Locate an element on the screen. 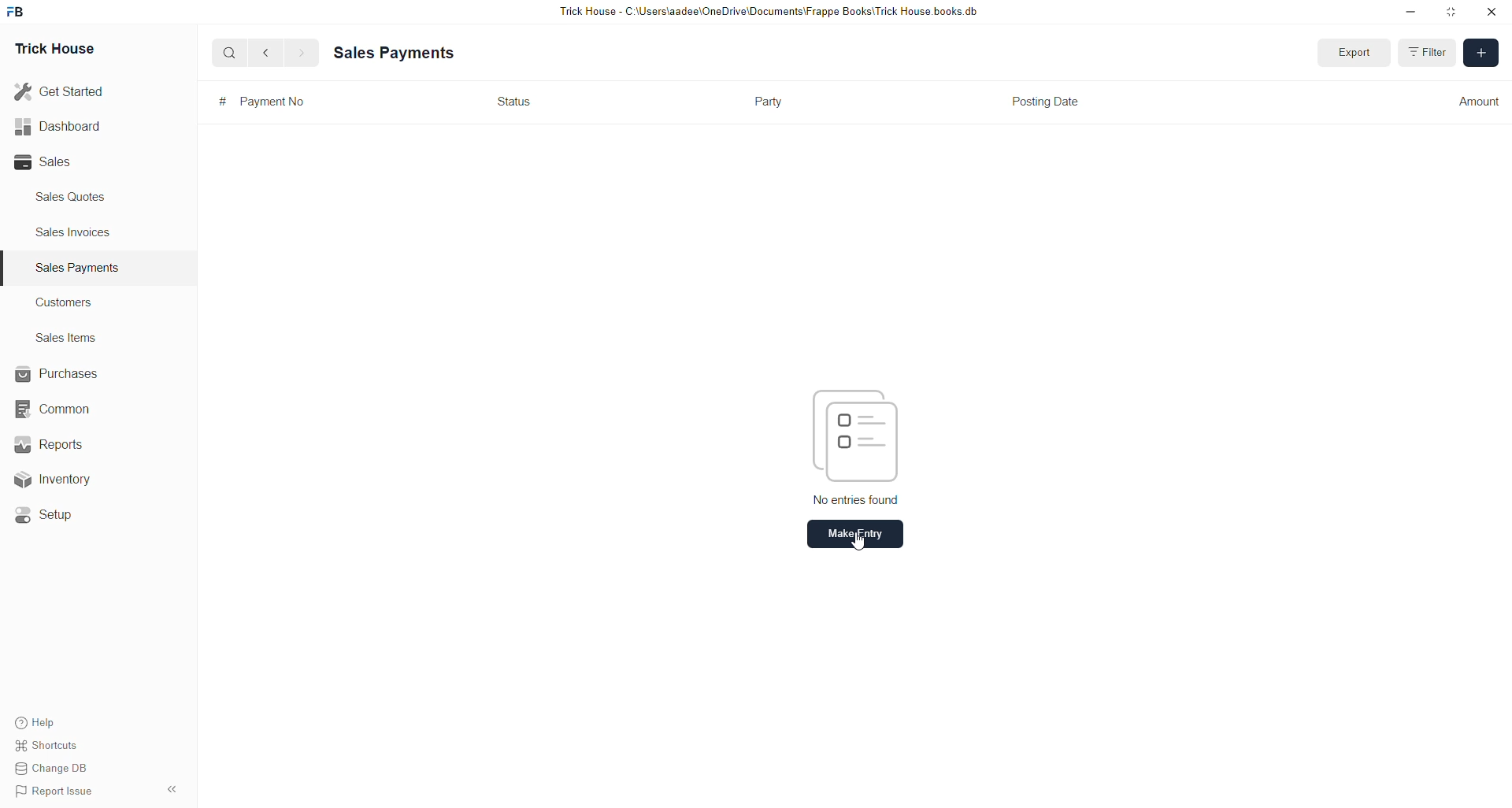  Trick House is located at coordinates (54, 50).